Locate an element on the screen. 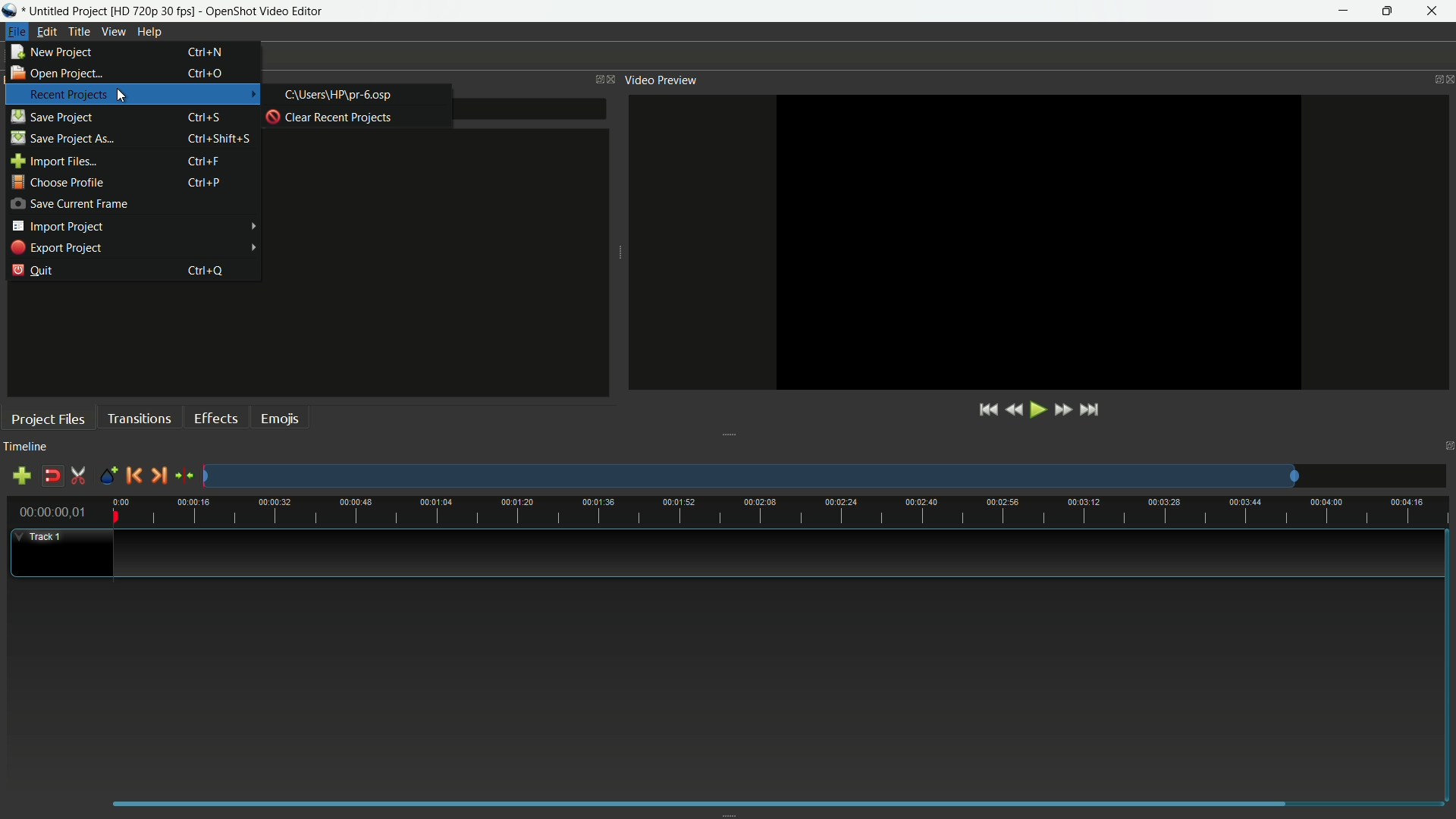 This screenshot has height=819, width=1456. project name is located at coordinates (66, 11).